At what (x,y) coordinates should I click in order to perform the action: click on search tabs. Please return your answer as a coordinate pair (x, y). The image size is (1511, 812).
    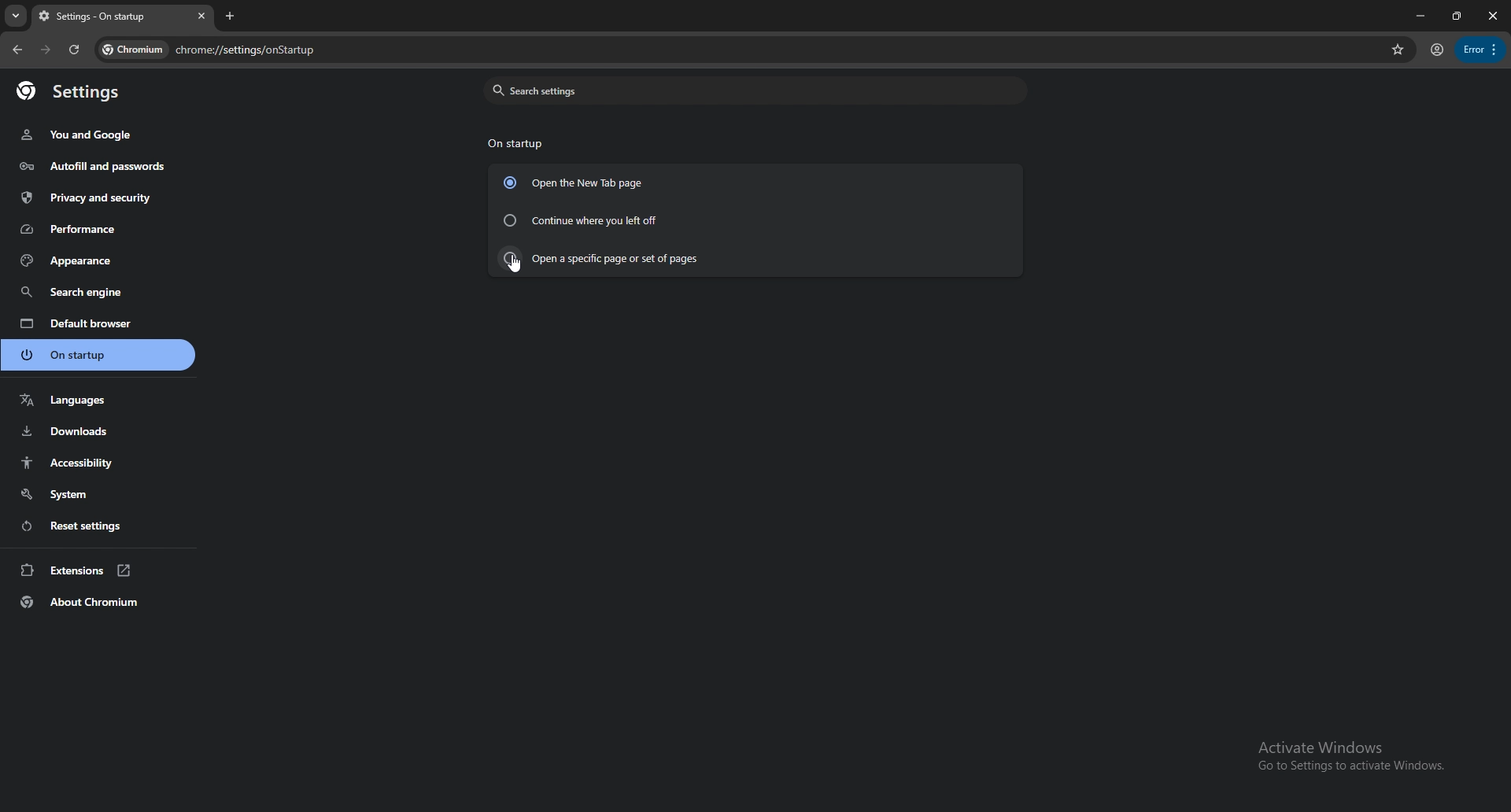
    Looking at the image, I should click on (16, 17).